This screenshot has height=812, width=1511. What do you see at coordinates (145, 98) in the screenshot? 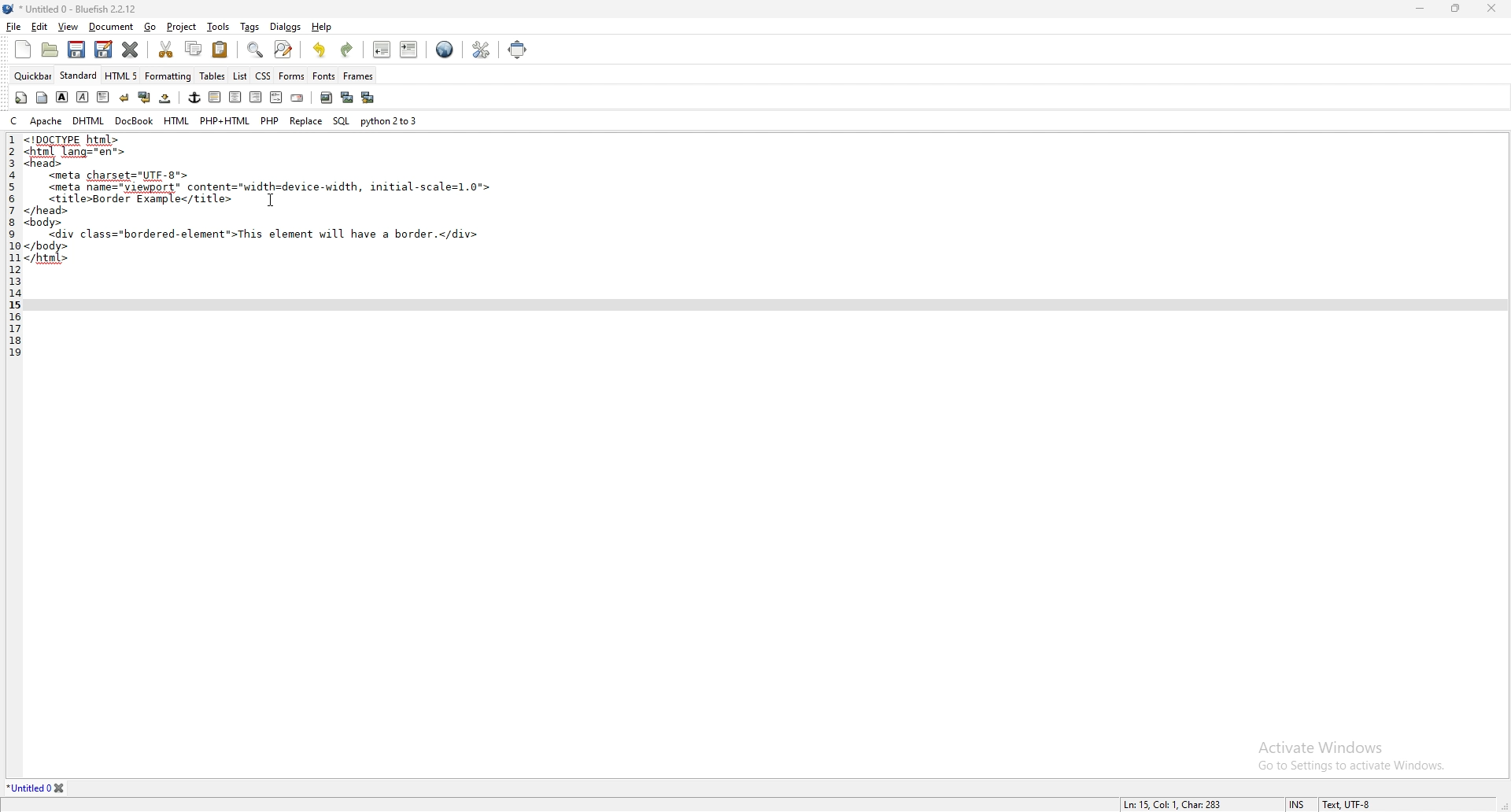
I see `break and clear` at bounding box center [145, 98].